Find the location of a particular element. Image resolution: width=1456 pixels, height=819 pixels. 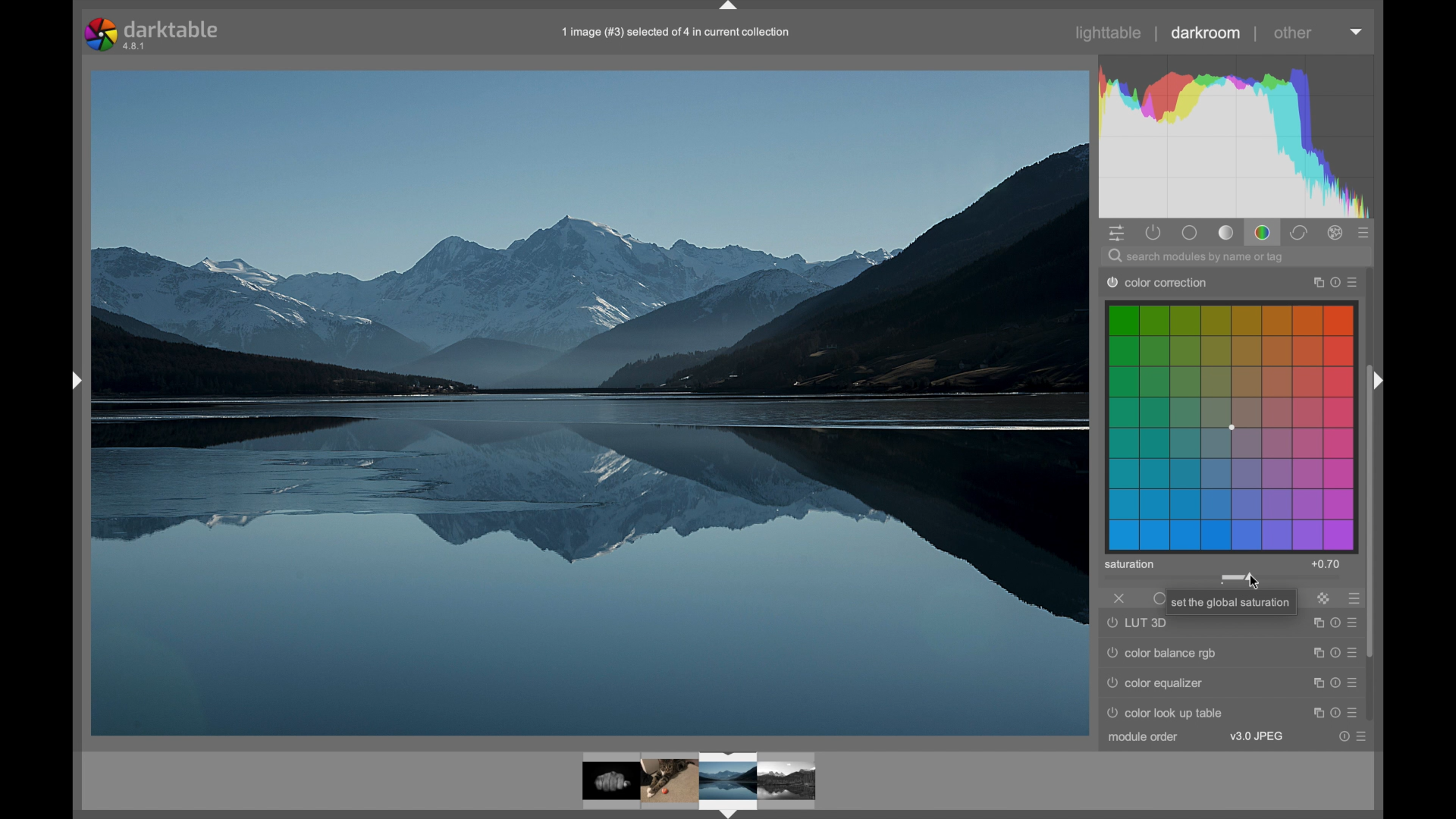

show only active module is located at coordinates (1155, 233).